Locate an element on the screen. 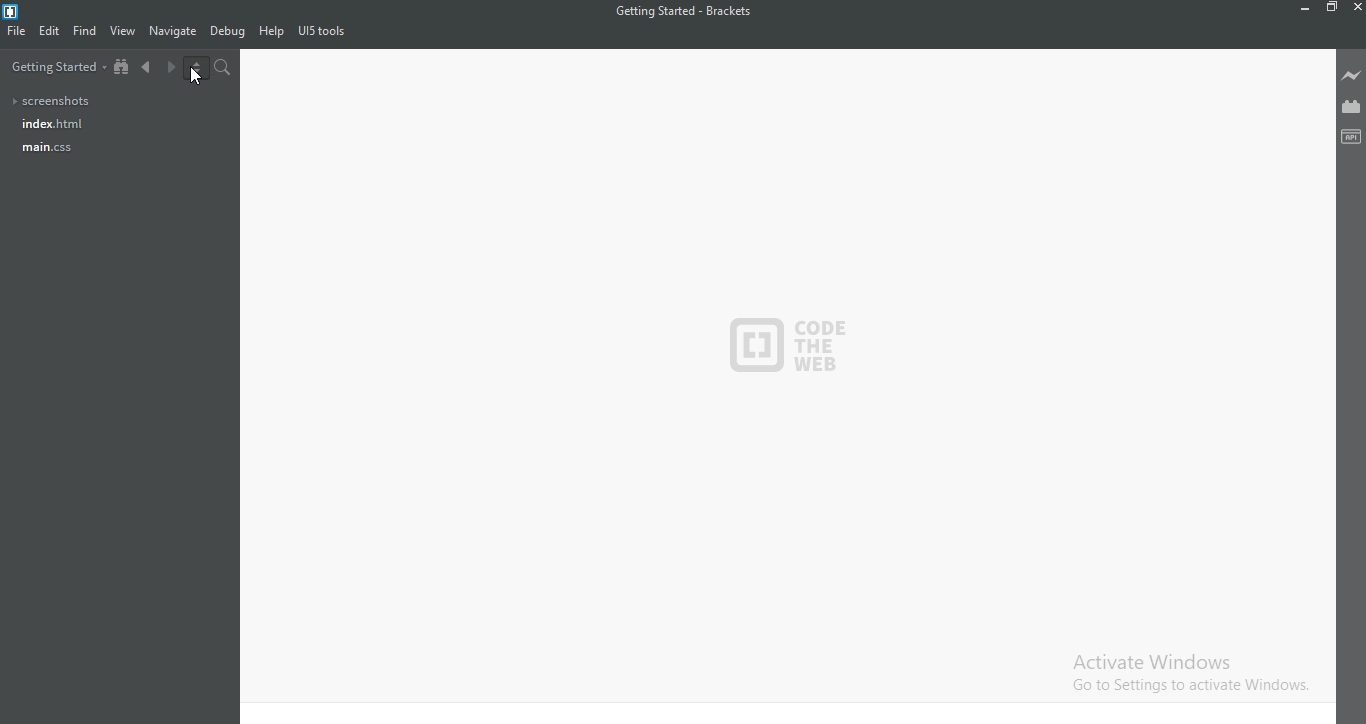 Image resolution: width=1366 pixels, height=724 pixels. Debug is located at coordinates (228, 32).